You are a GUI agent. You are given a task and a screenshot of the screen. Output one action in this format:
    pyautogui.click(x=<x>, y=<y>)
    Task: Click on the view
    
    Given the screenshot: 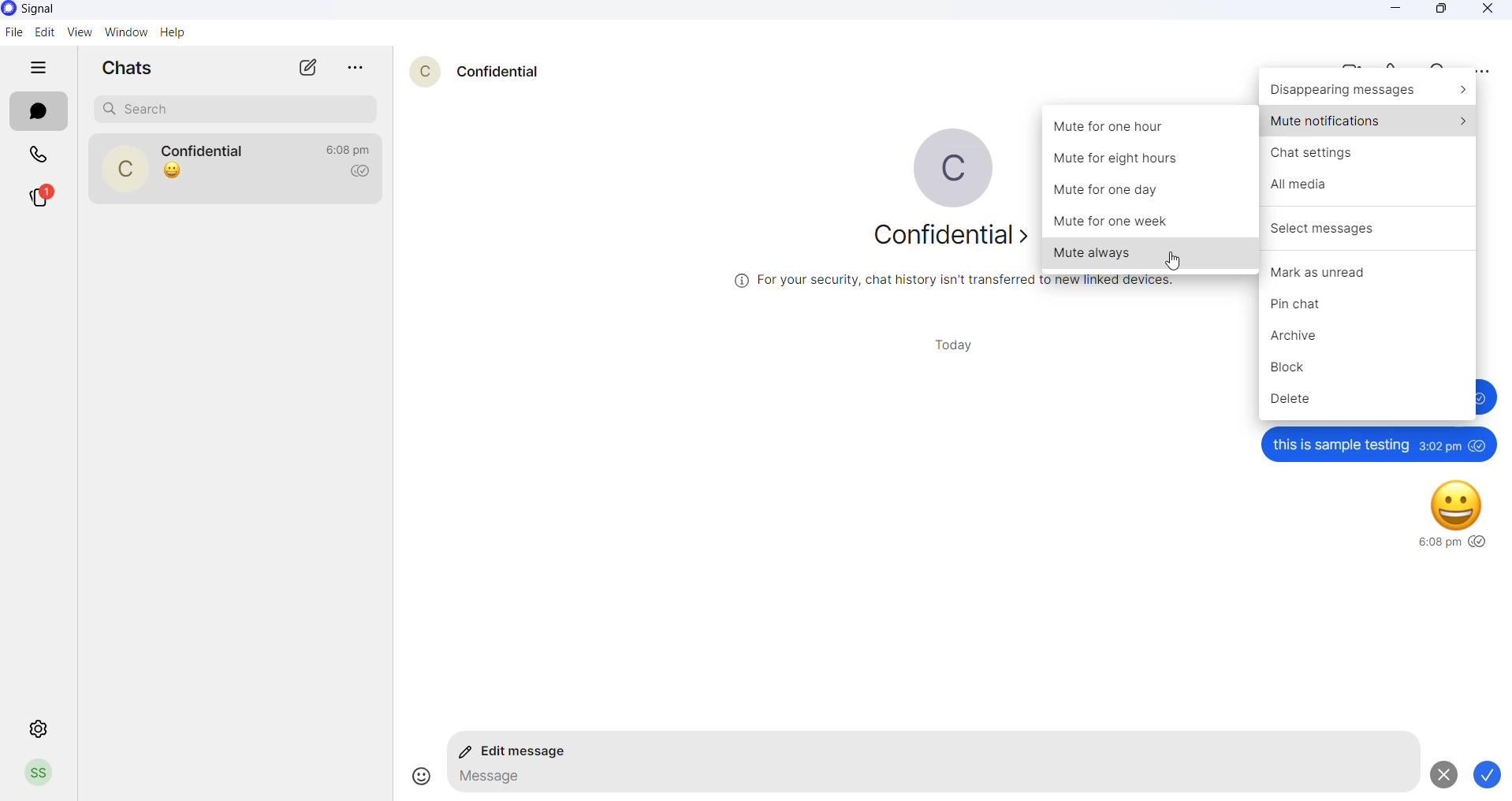 What is the action you would take?
    pyautogui.click(x=75, y=32)
    